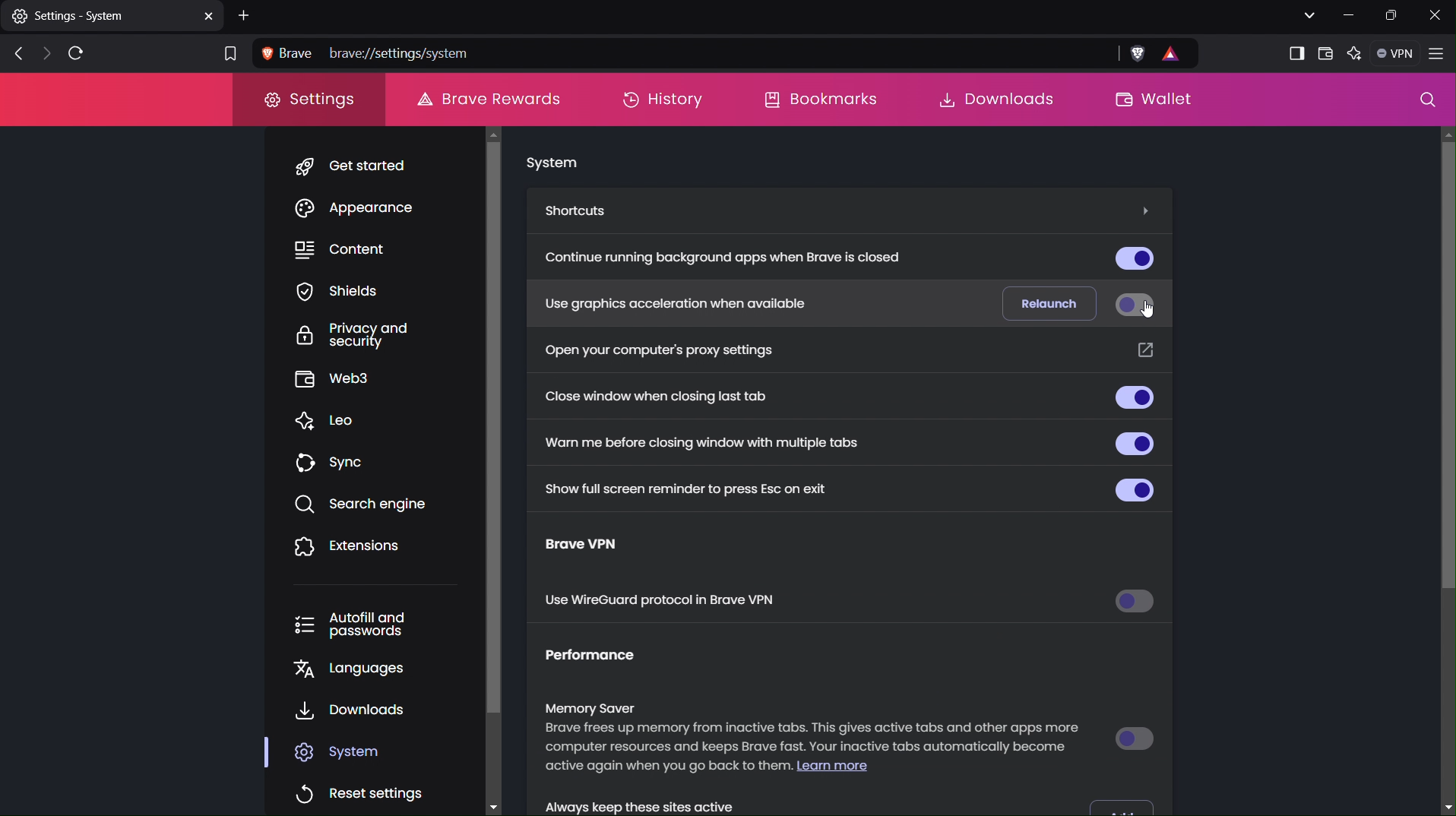  What do you see at coordinates (727, 54) in the screenshot?
I see `Address Bar` at bounding box center [727, 54].